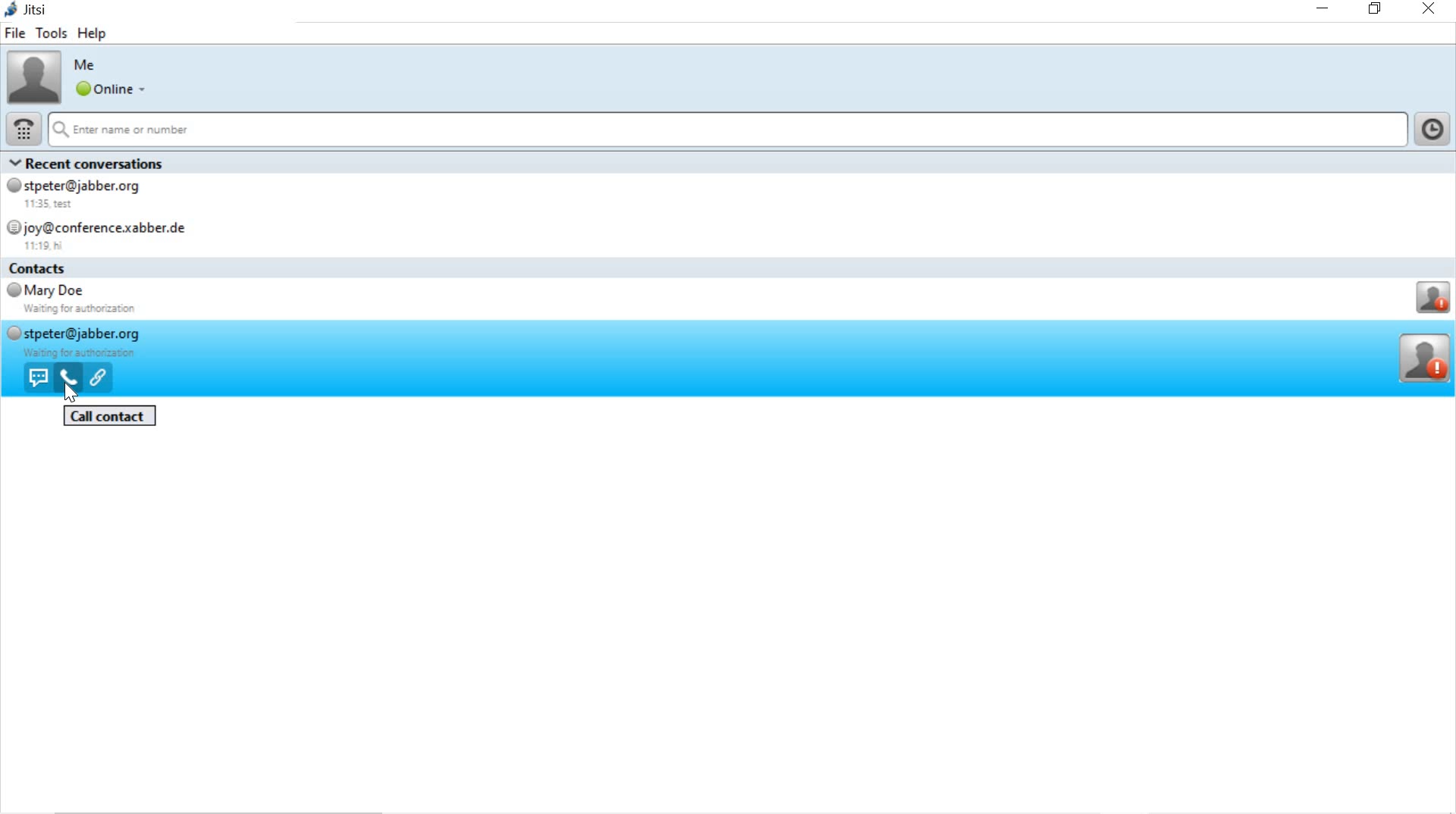 This screenshot has height=814, width=1456. I want to click on Me, so click(88, 65).